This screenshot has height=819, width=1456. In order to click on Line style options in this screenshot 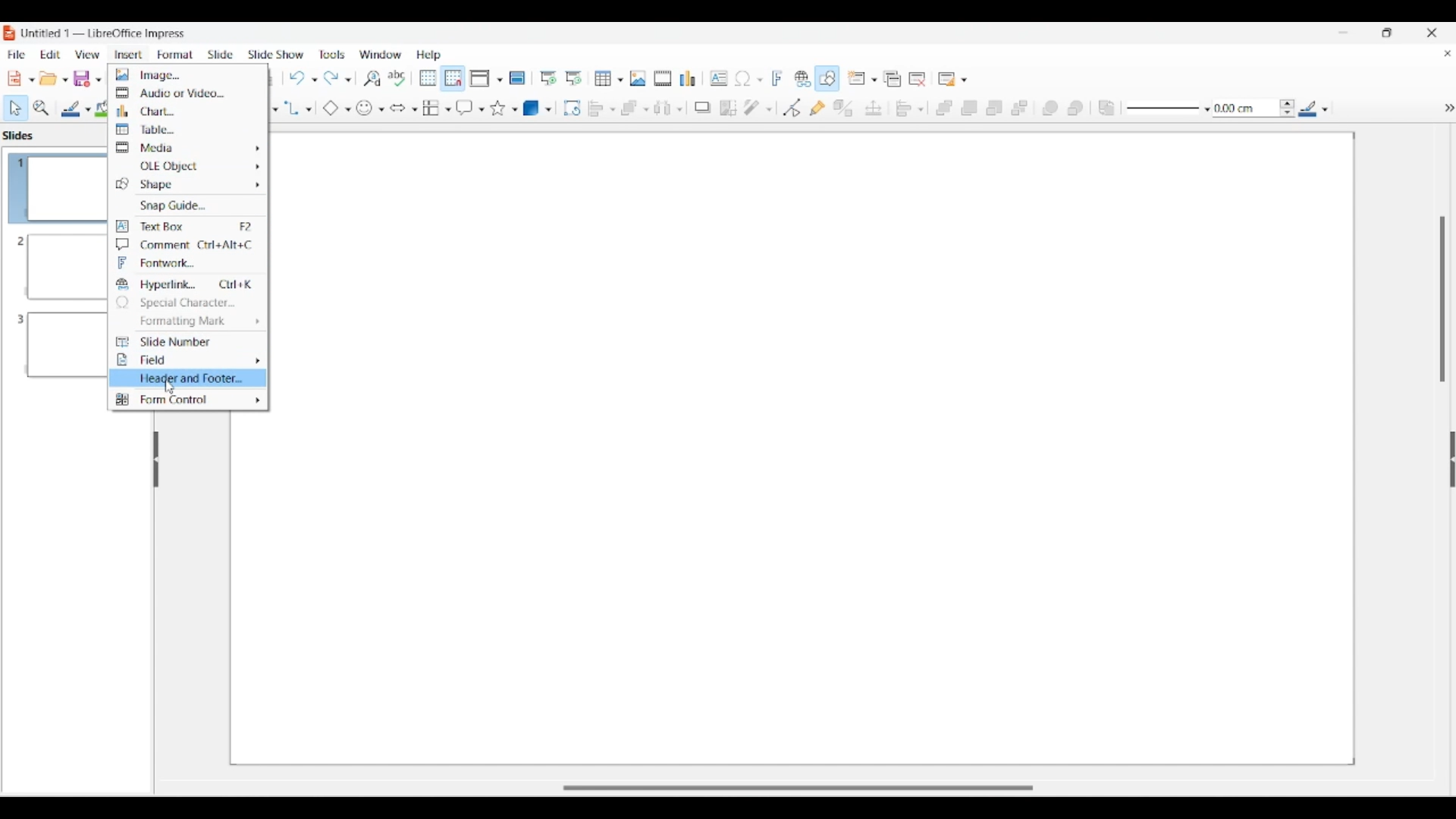, I will do `click(1169, 109)`.